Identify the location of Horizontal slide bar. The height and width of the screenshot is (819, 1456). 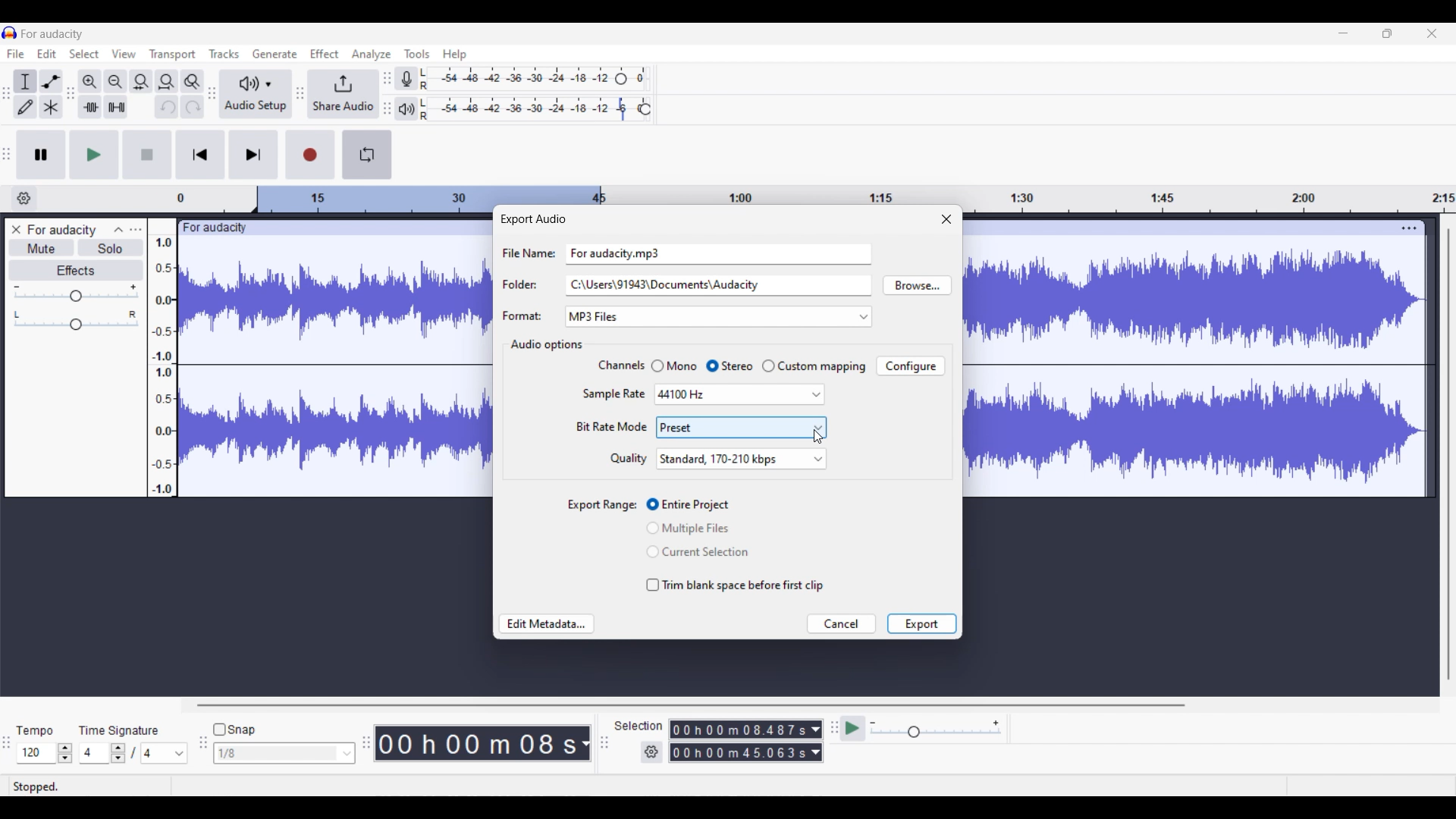
(690, 705).